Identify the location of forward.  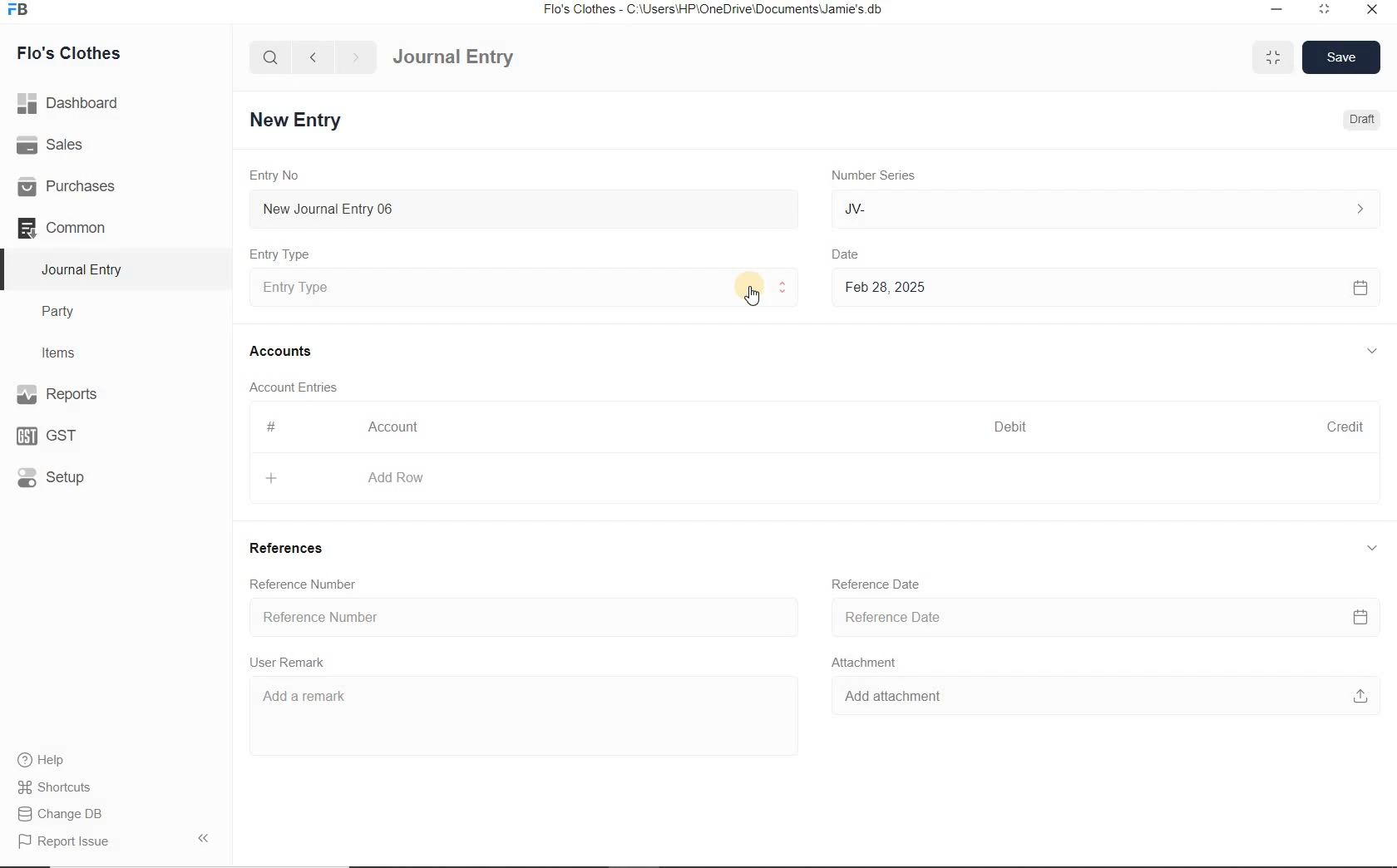
(357, 57).